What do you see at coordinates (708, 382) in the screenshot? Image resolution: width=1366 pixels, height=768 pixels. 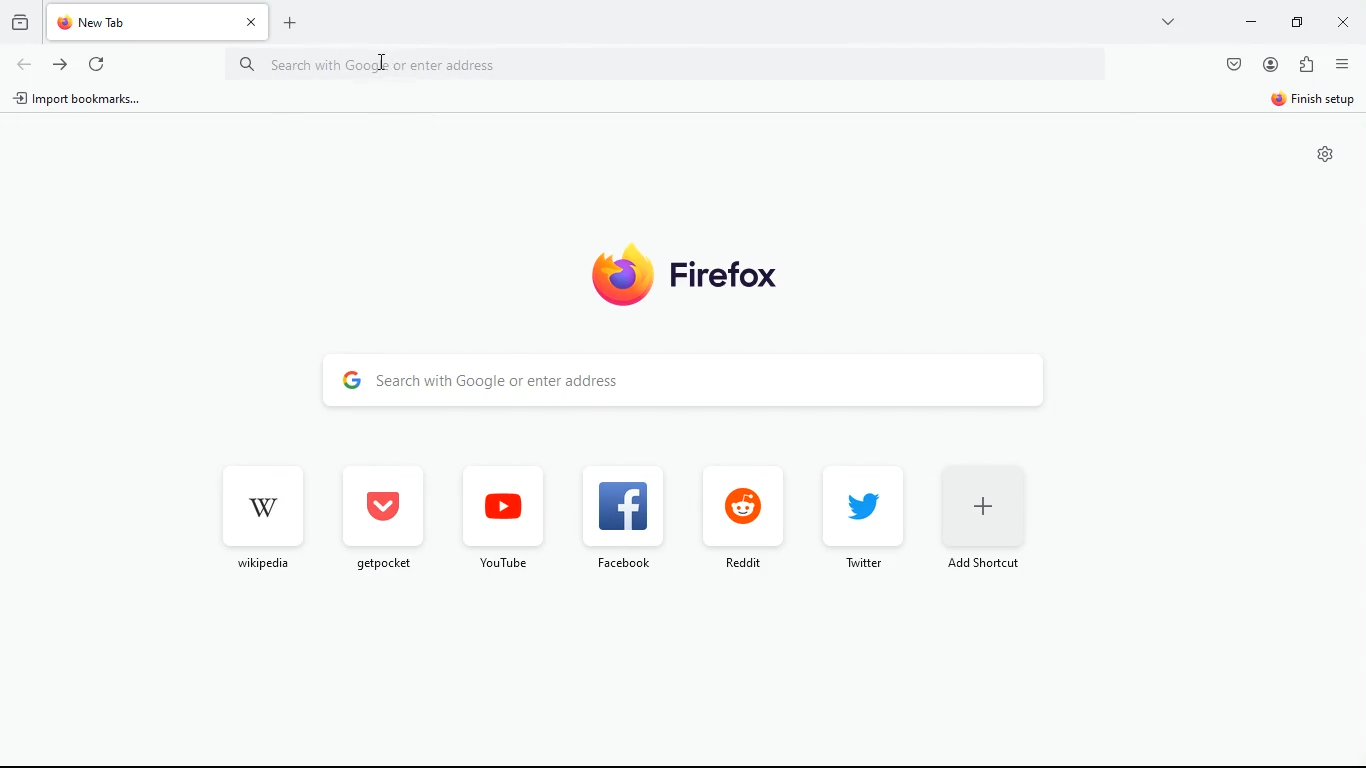 I see `search` at bounding box center [708, 382].